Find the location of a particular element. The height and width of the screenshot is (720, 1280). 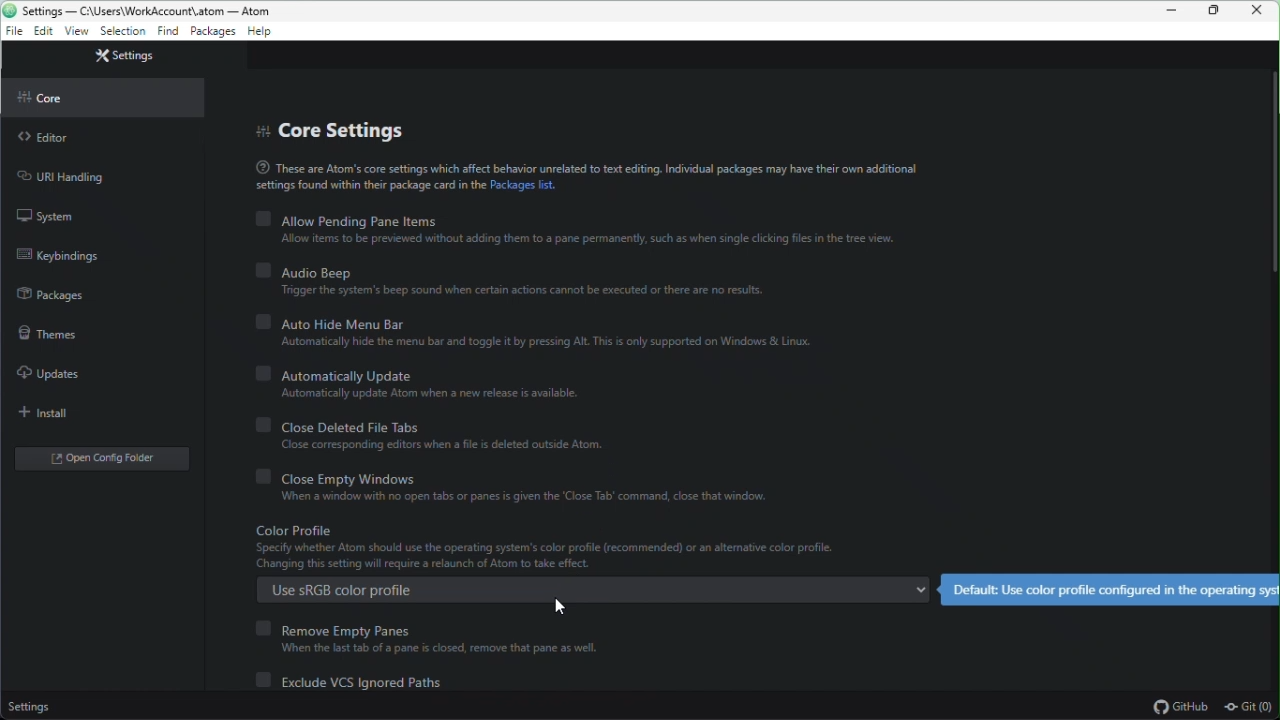

Packages is located at coordinates (55, 291).